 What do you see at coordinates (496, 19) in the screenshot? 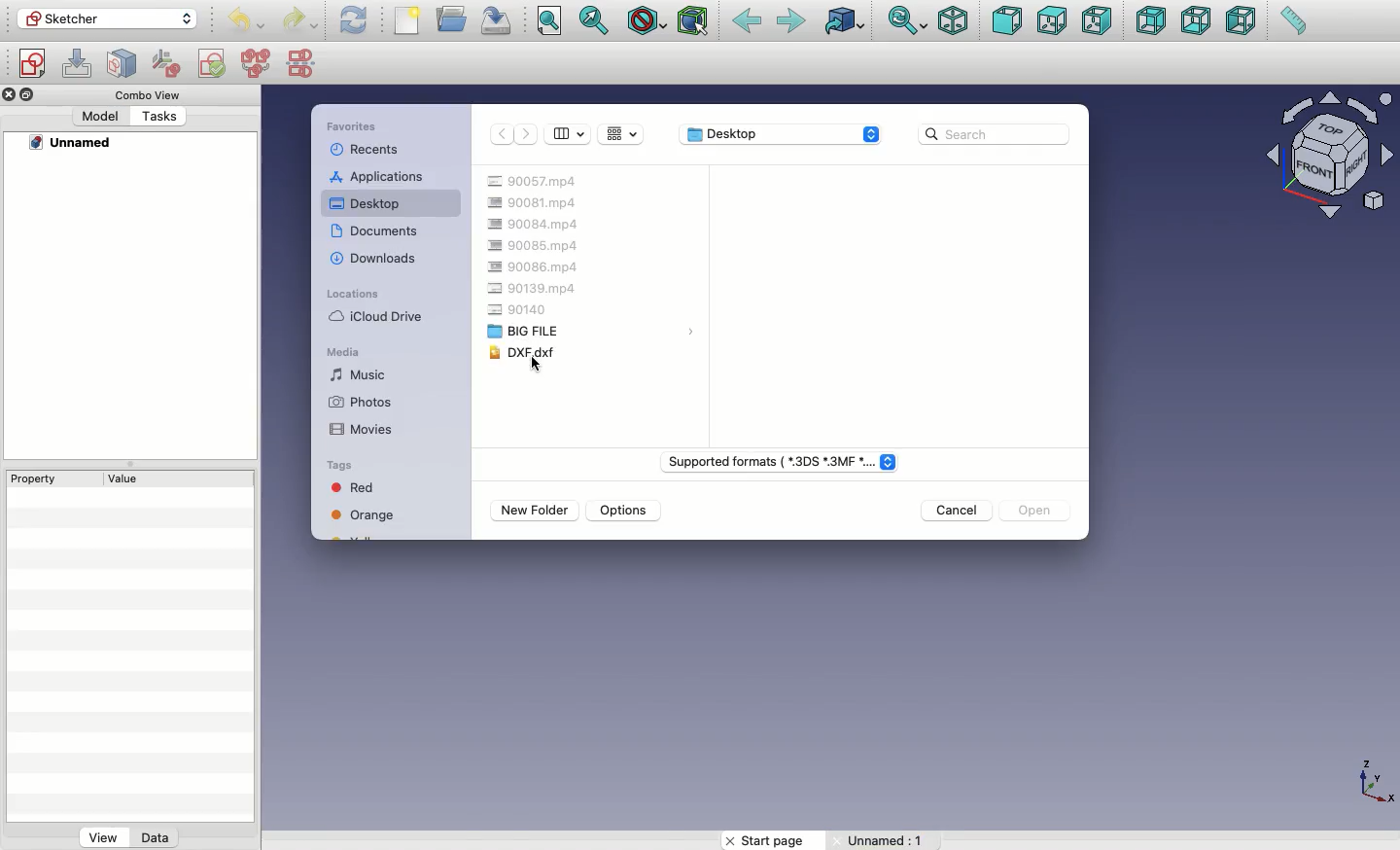
I see `Save` at bounding box center [496, 19].